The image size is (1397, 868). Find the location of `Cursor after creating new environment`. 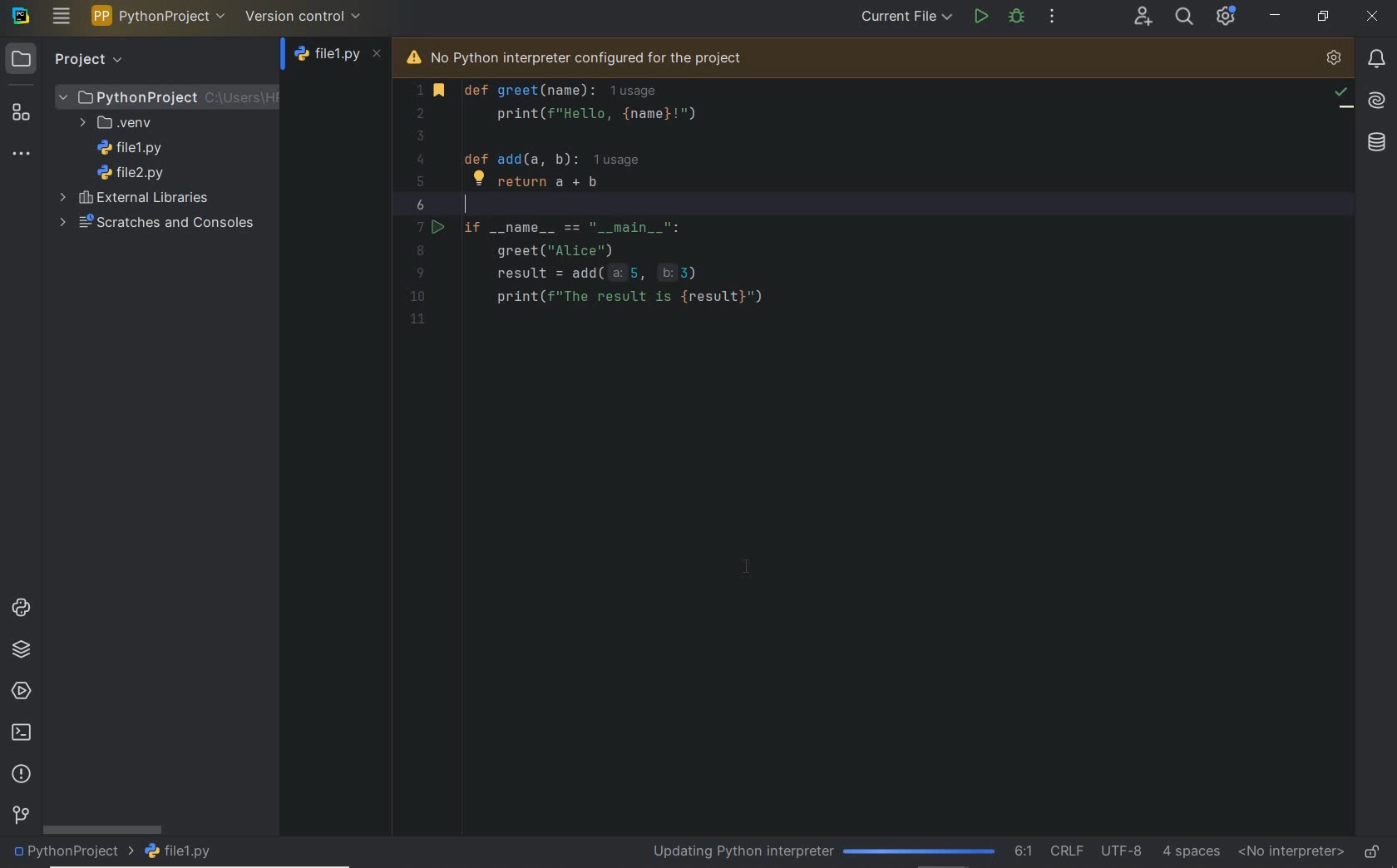

Cursor after creating new environment is located at coordinates (749, 568).